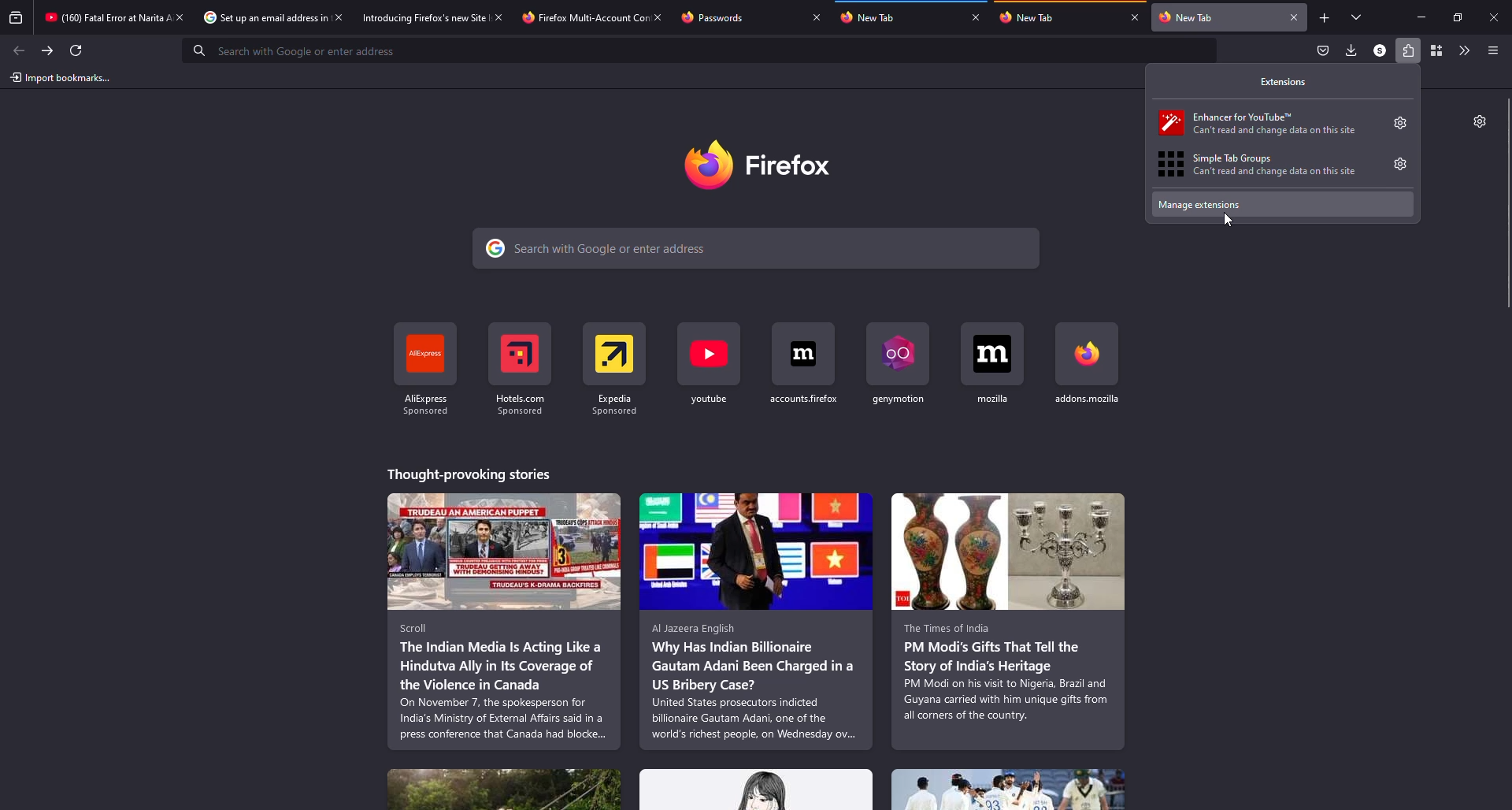 The width and height of the screenshot is (1512, 810). I want to click on settings, so click(1399, 123).